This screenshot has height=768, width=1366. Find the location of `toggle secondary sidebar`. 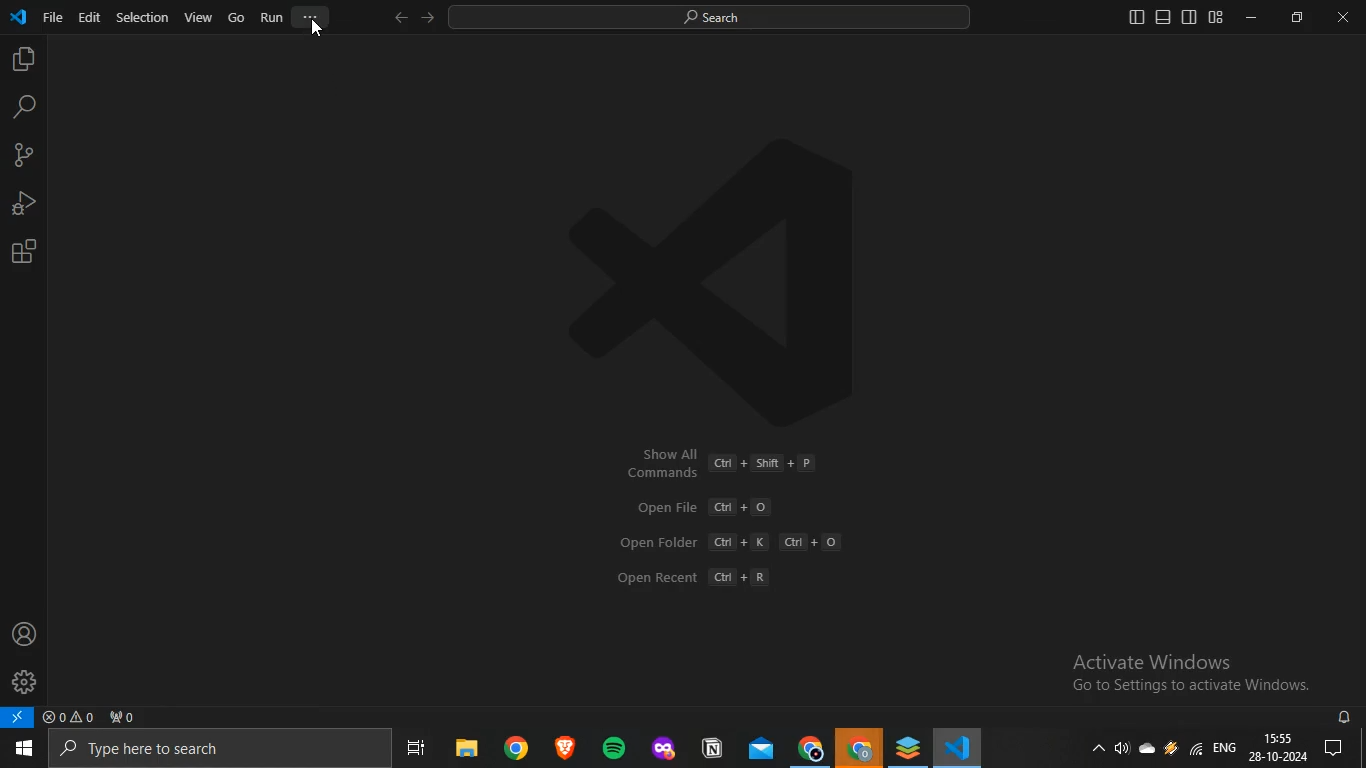

toggle secondary sidebar is located at coordinates (1190, 17).